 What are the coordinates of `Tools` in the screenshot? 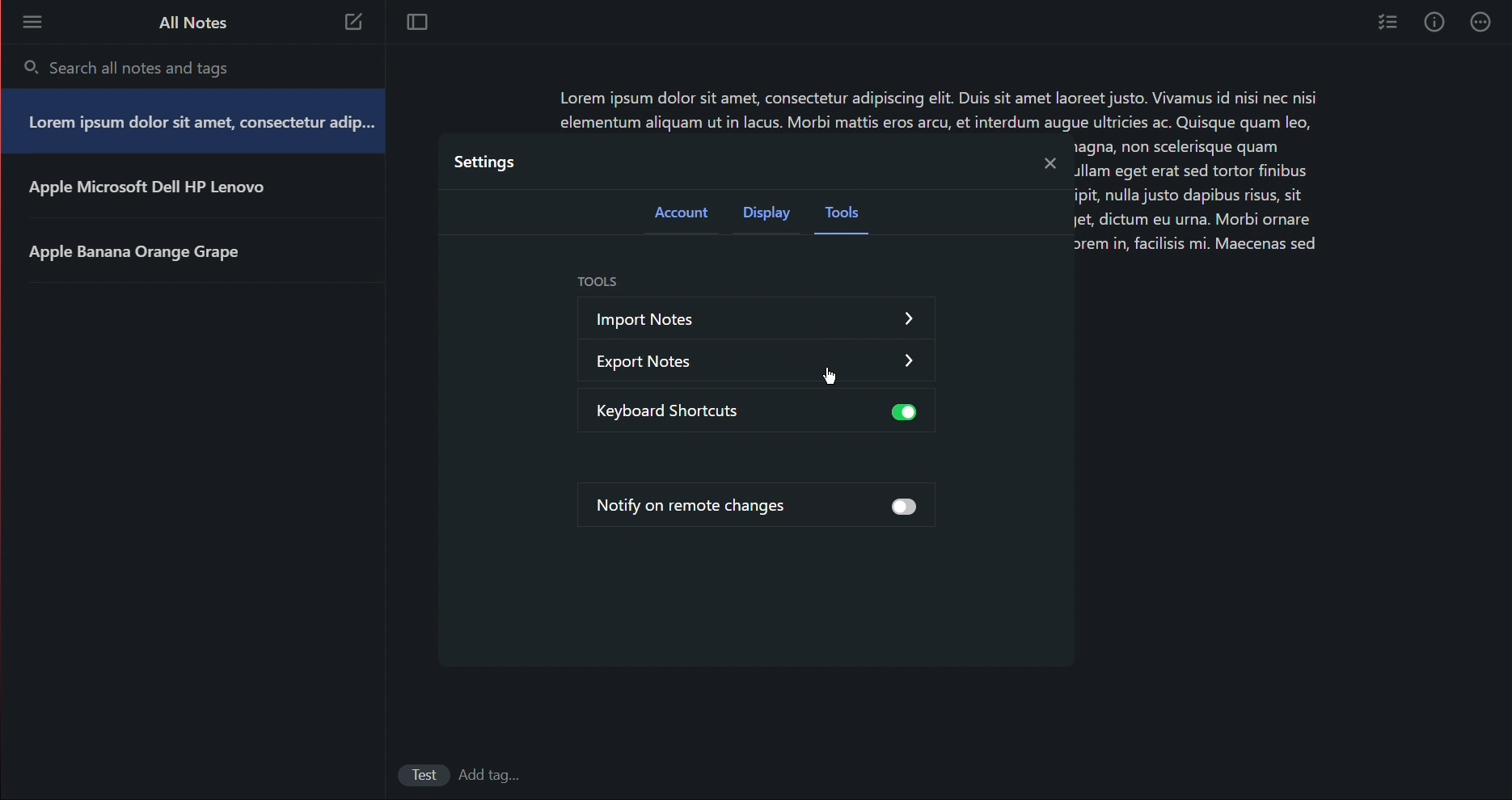 It's located at (847, 217).